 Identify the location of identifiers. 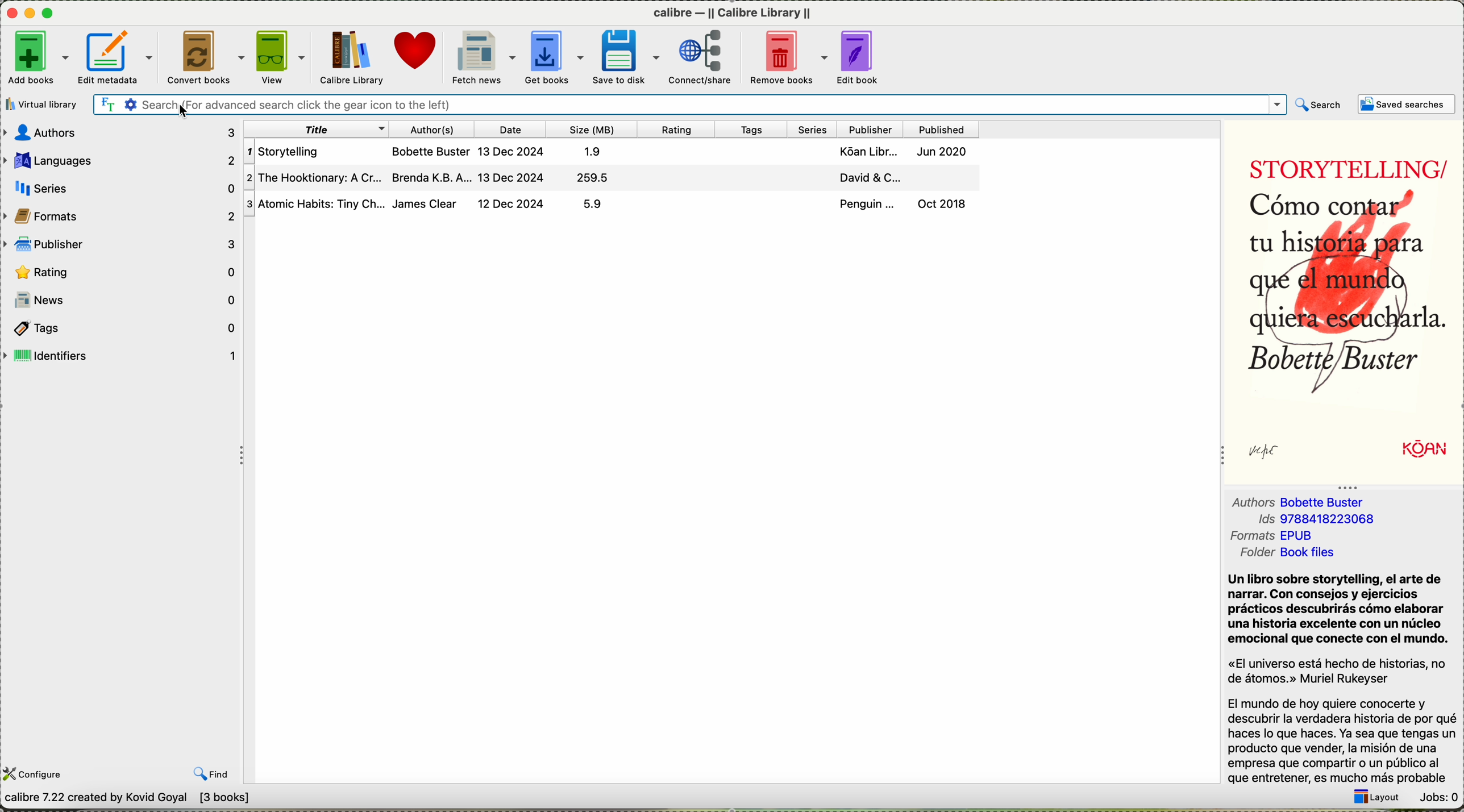
(123, 355).